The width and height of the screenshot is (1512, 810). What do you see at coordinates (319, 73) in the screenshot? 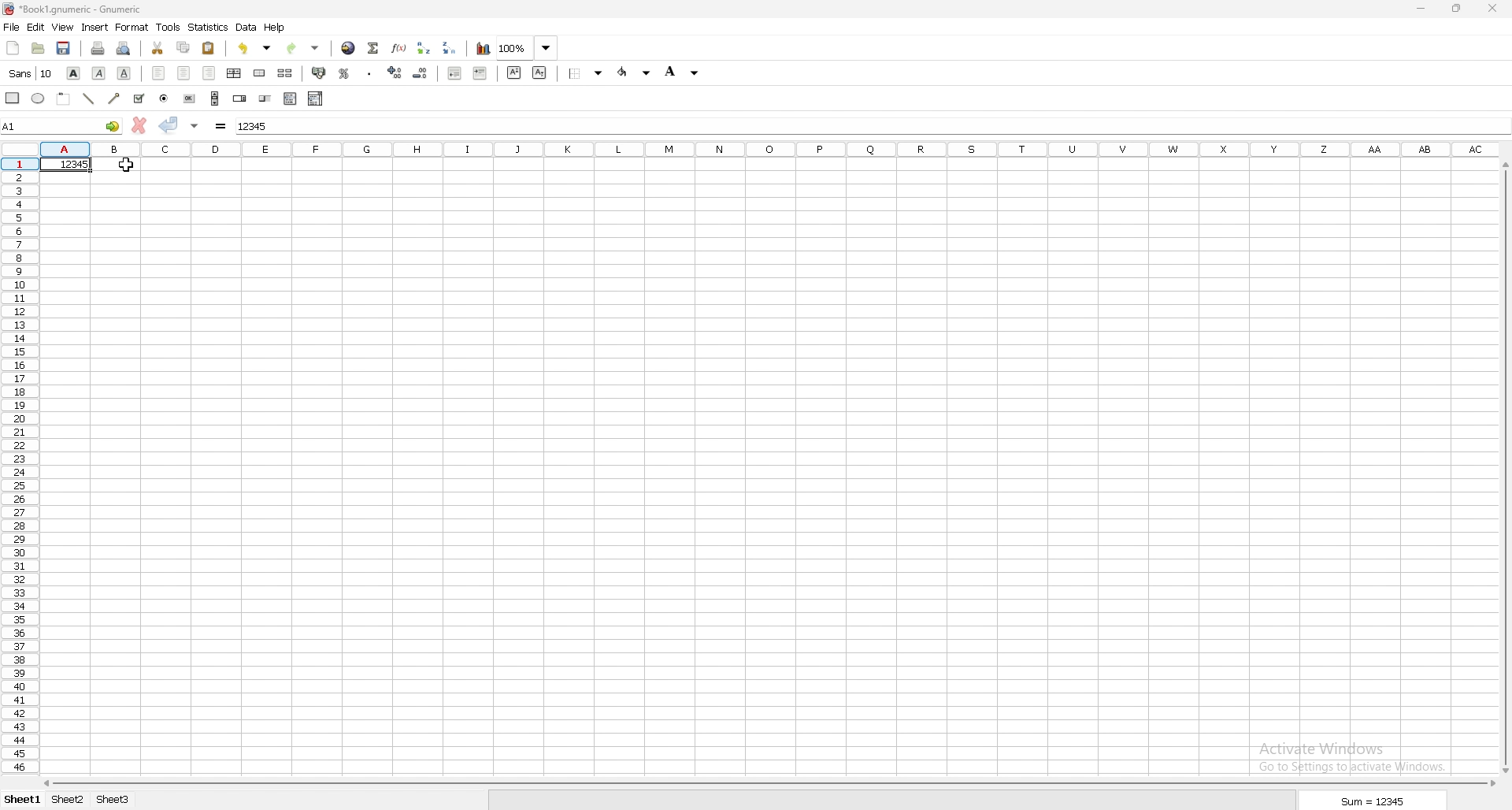
I see `accounting` at bounding box center [319, 73].